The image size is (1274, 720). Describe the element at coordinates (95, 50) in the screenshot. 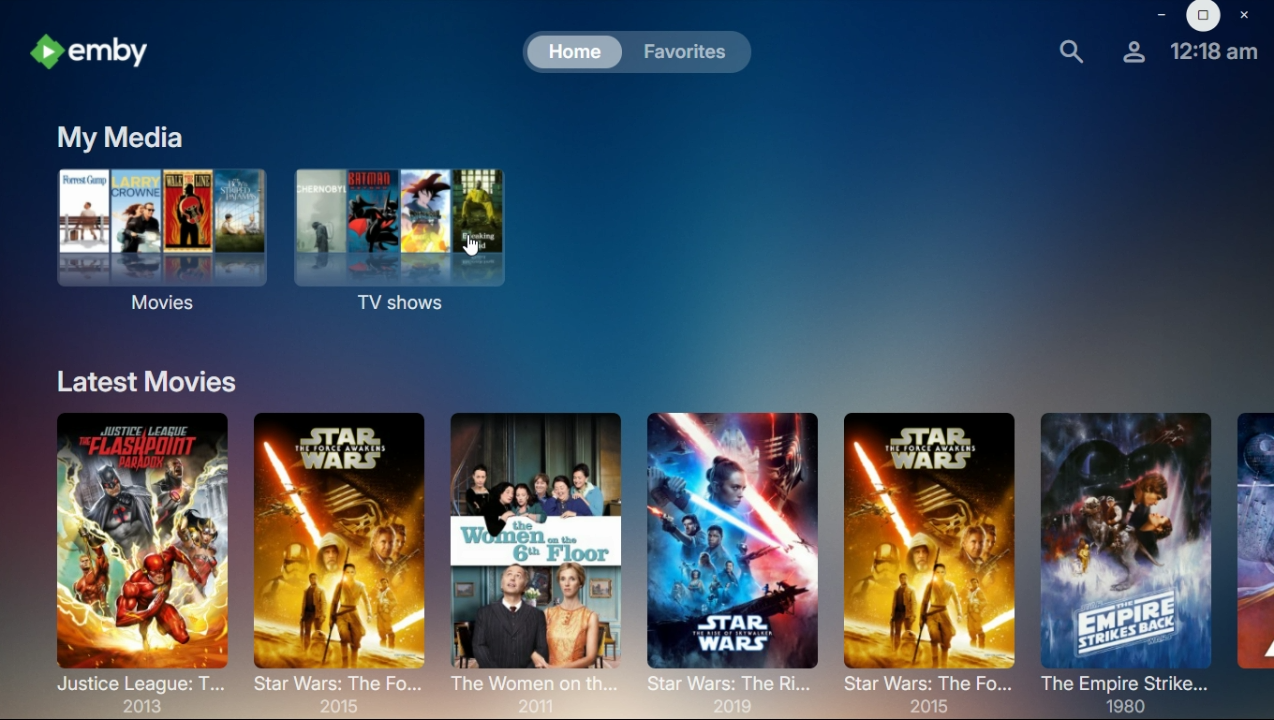

I see `icon` at that location.